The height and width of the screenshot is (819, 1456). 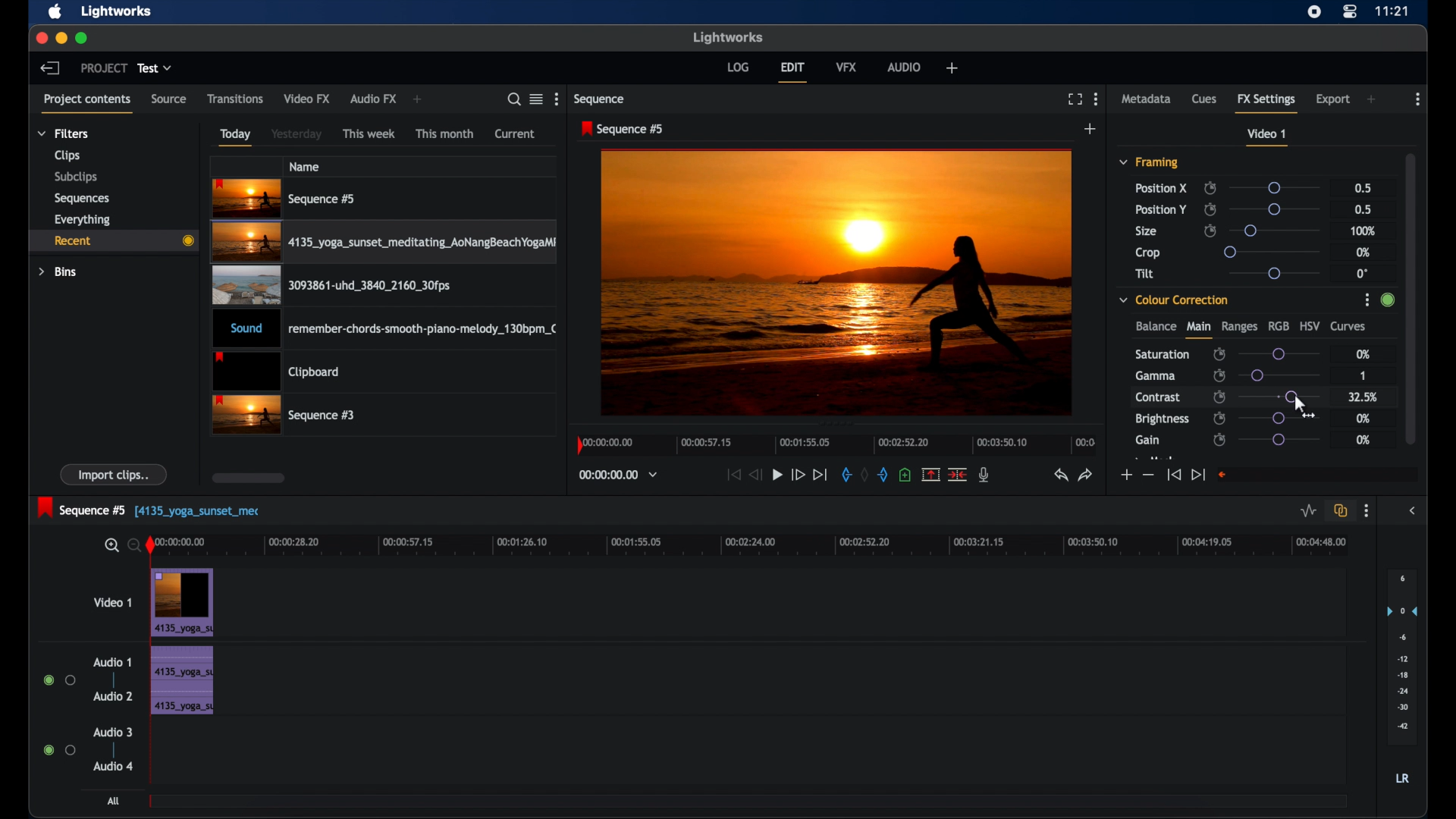 What do you see at coordinates (777, 475) in the screenshot?
I see `play ` at bounding box center [777, 475].